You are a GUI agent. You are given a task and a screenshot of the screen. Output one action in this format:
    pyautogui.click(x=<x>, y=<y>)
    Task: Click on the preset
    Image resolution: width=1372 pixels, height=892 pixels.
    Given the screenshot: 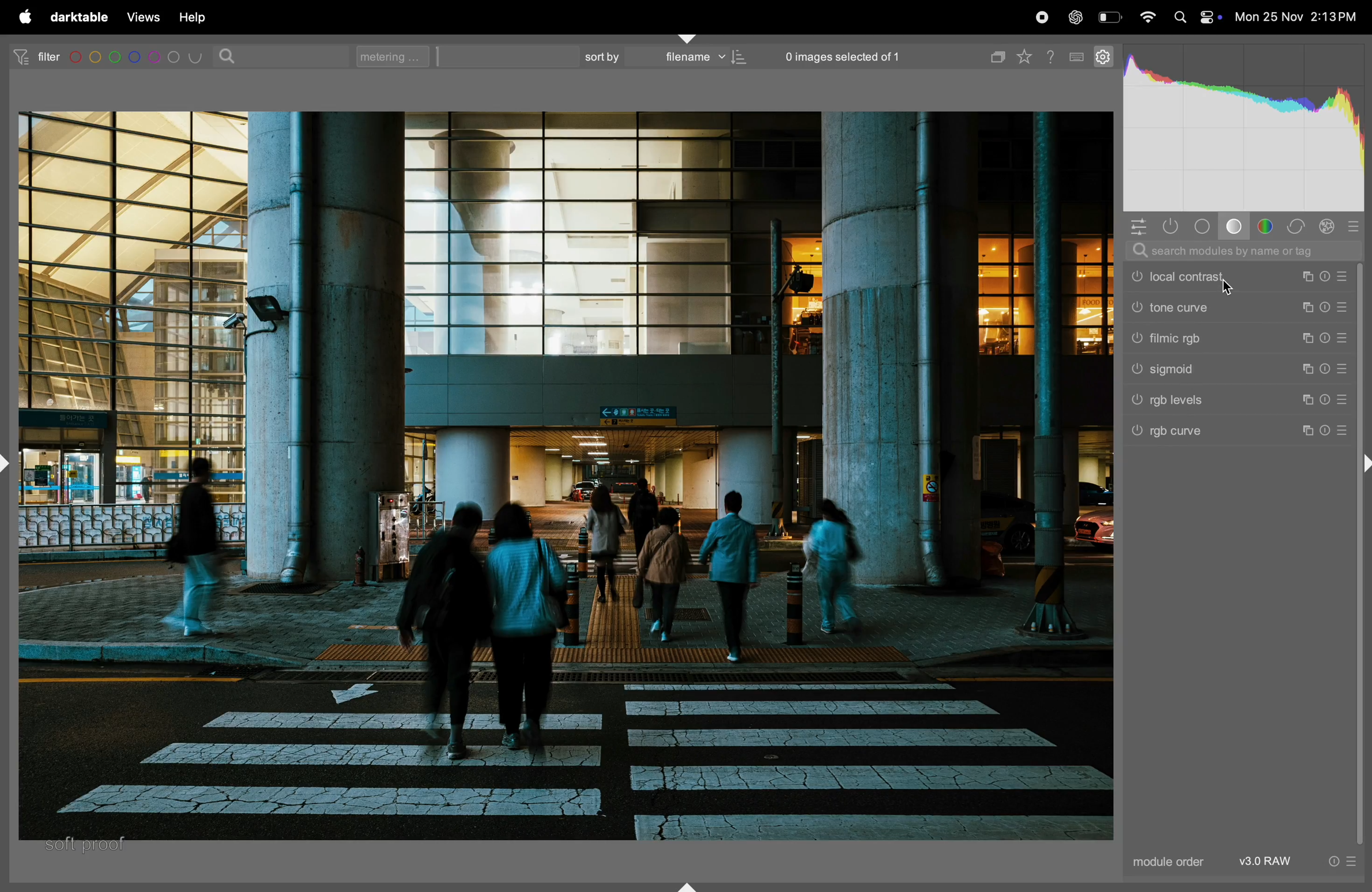 What is the action you would take?
    pyautogui.click(x=1344, y=339)
    